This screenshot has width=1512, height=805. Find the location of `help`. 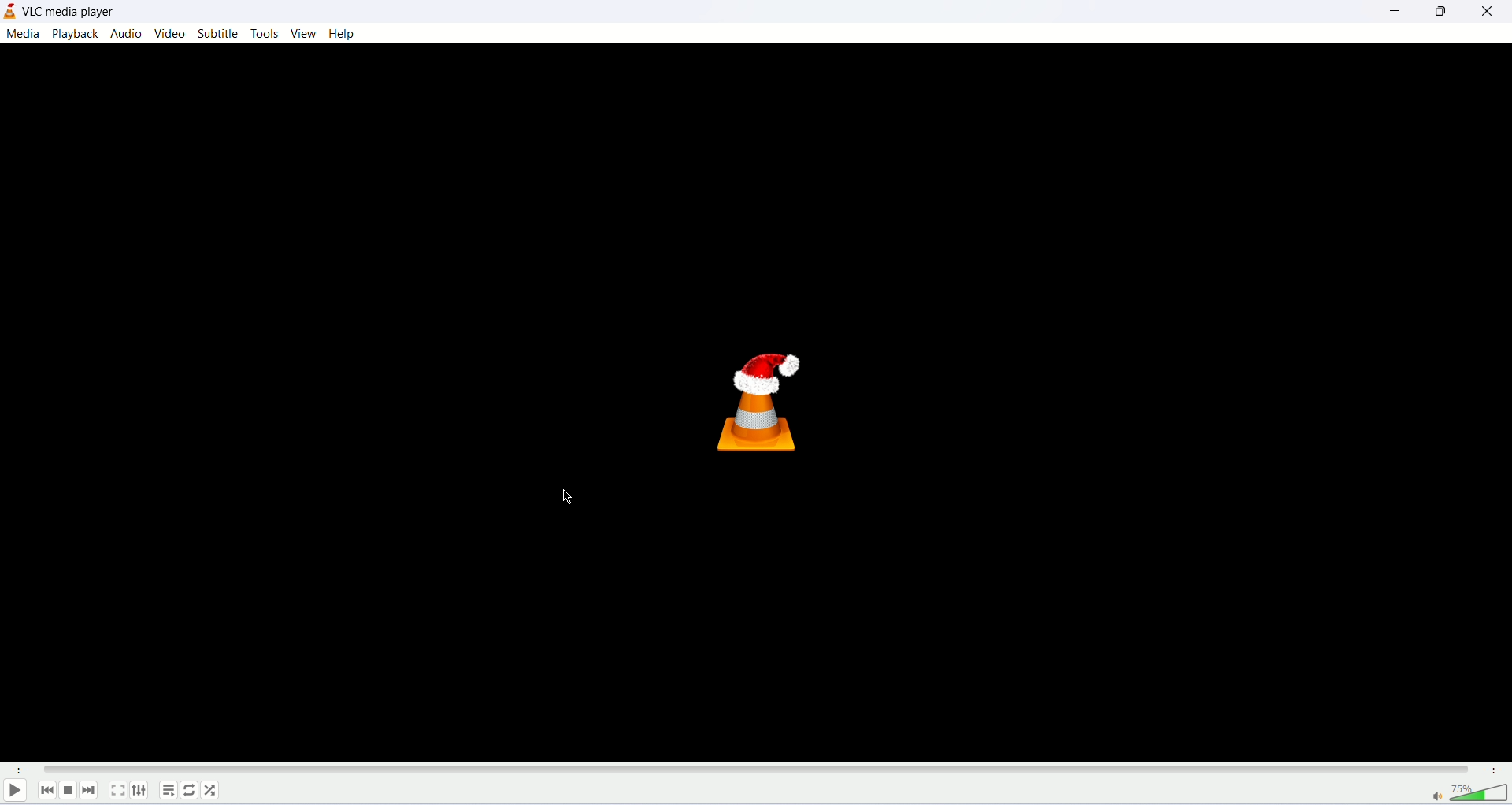

help is located at coordinates (345, 34).